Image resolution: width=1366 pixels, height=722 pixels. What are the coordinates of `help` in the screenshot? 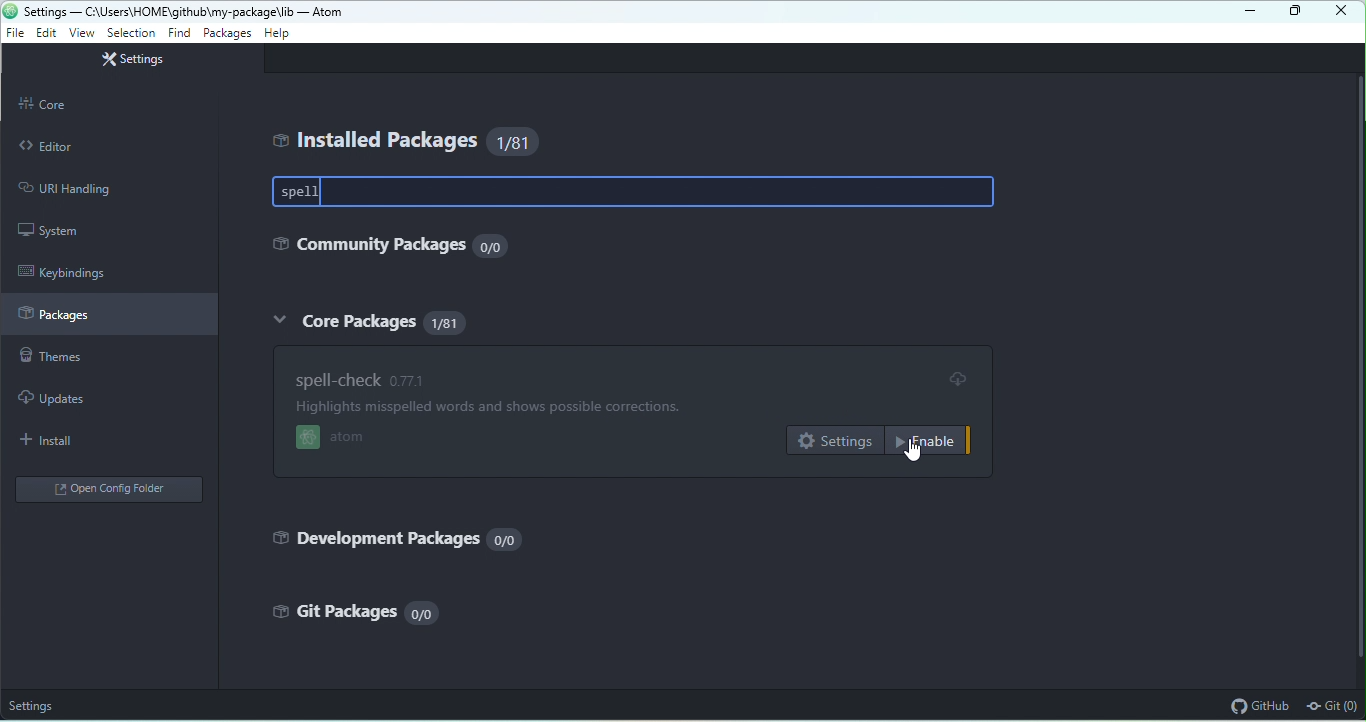 It's located at (278, 32).